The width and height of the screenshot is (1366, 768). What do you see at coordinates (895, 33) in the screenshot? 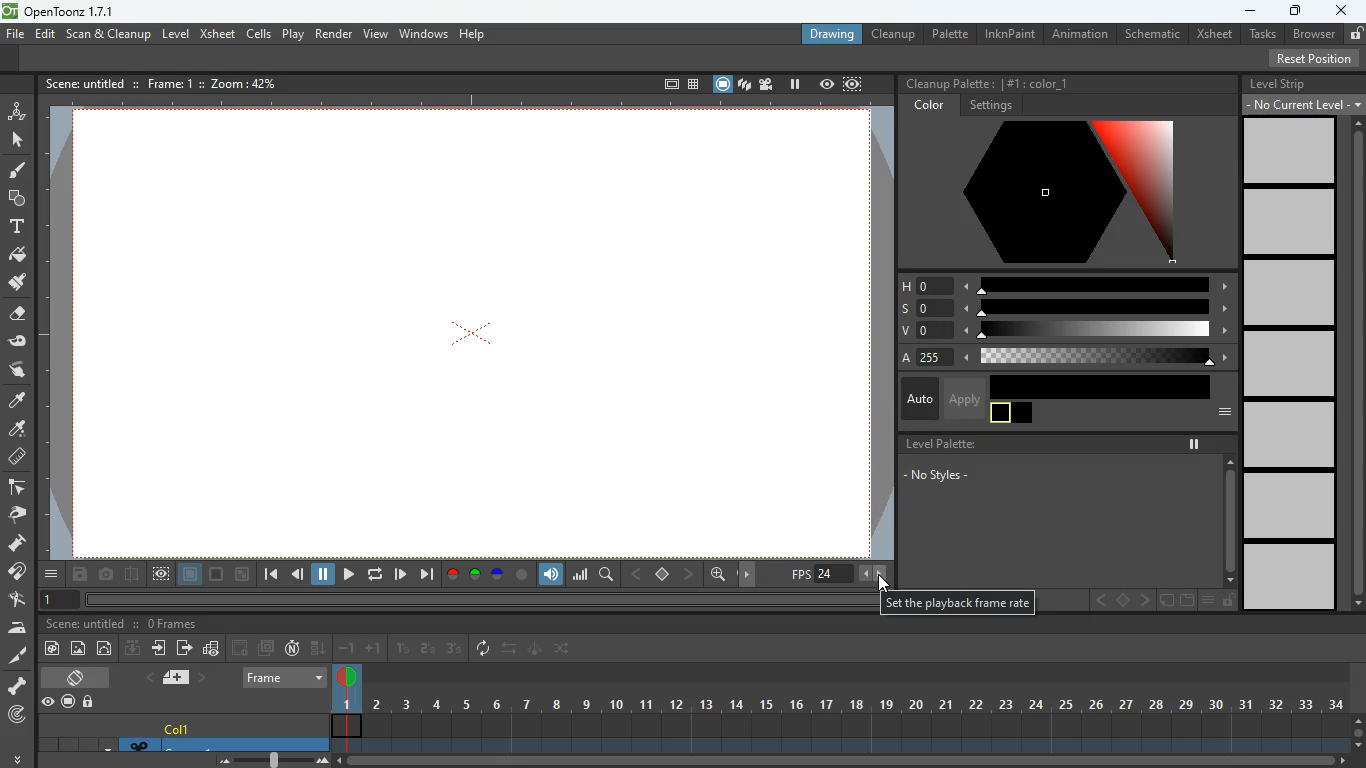
I see `cleanup` at bounding box center [895, 33].